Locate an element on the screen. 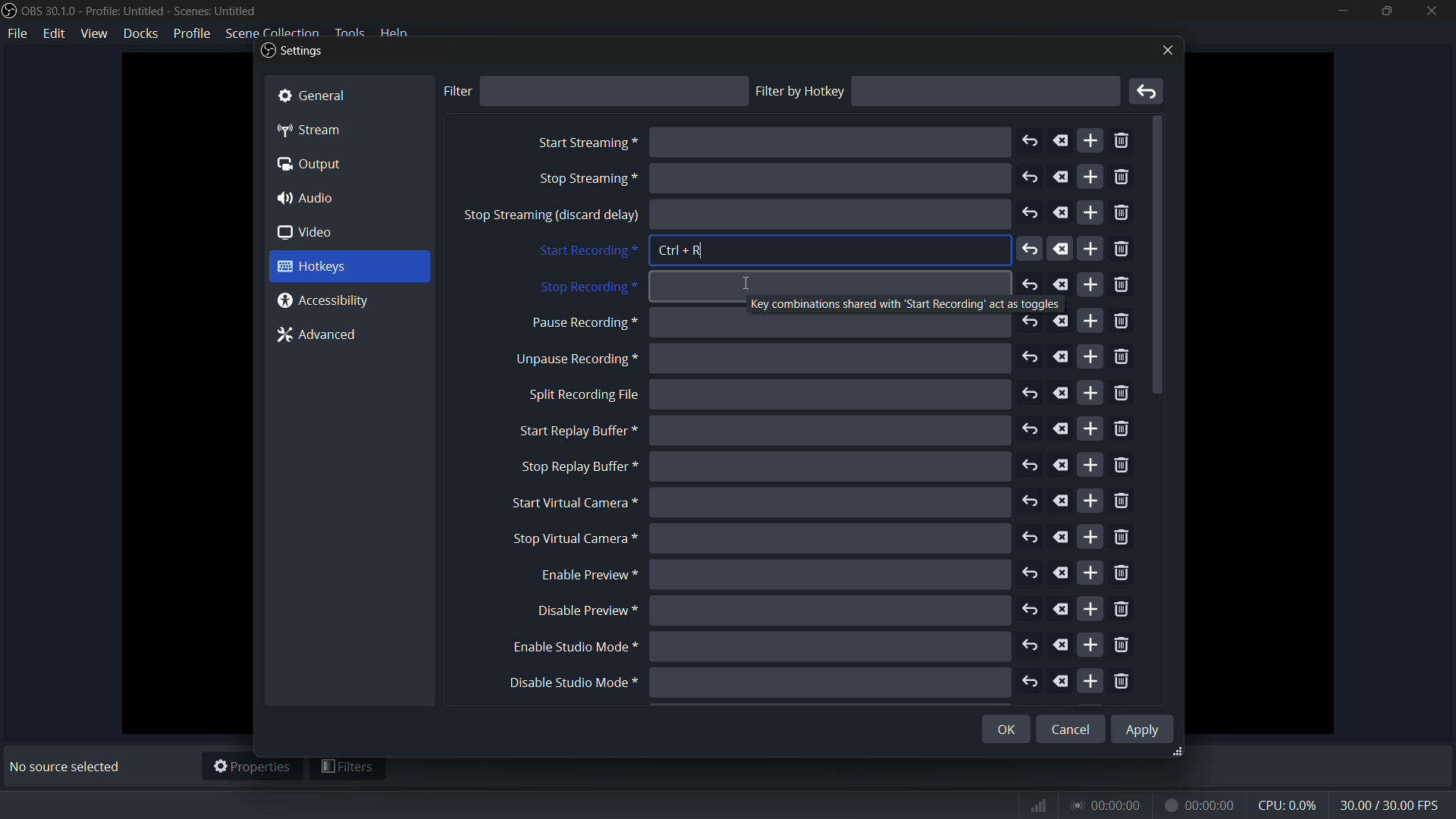  delete is located at coordinates (1062, 356).